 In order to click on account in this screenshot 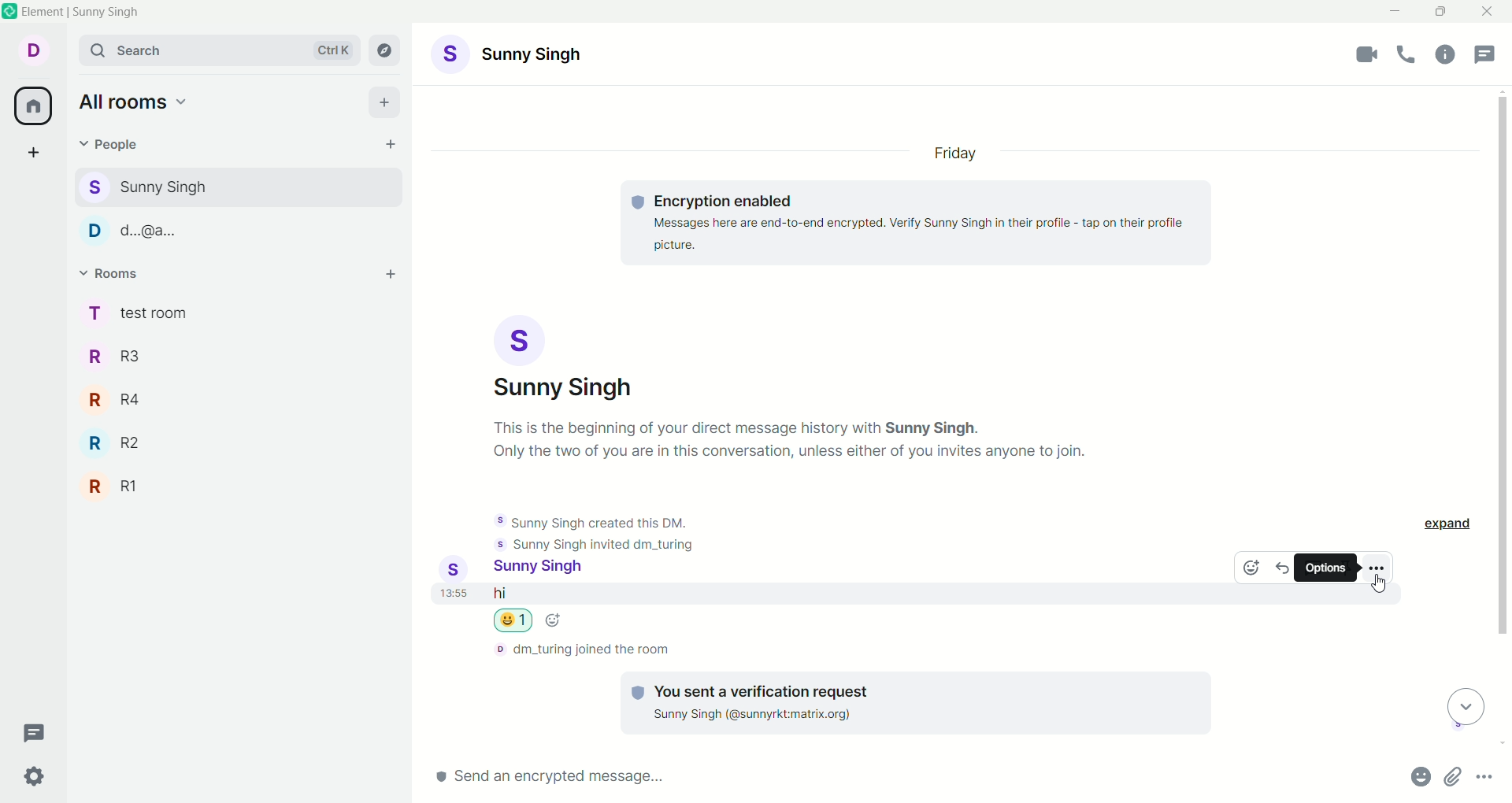, I will do `click(521, 569)`.